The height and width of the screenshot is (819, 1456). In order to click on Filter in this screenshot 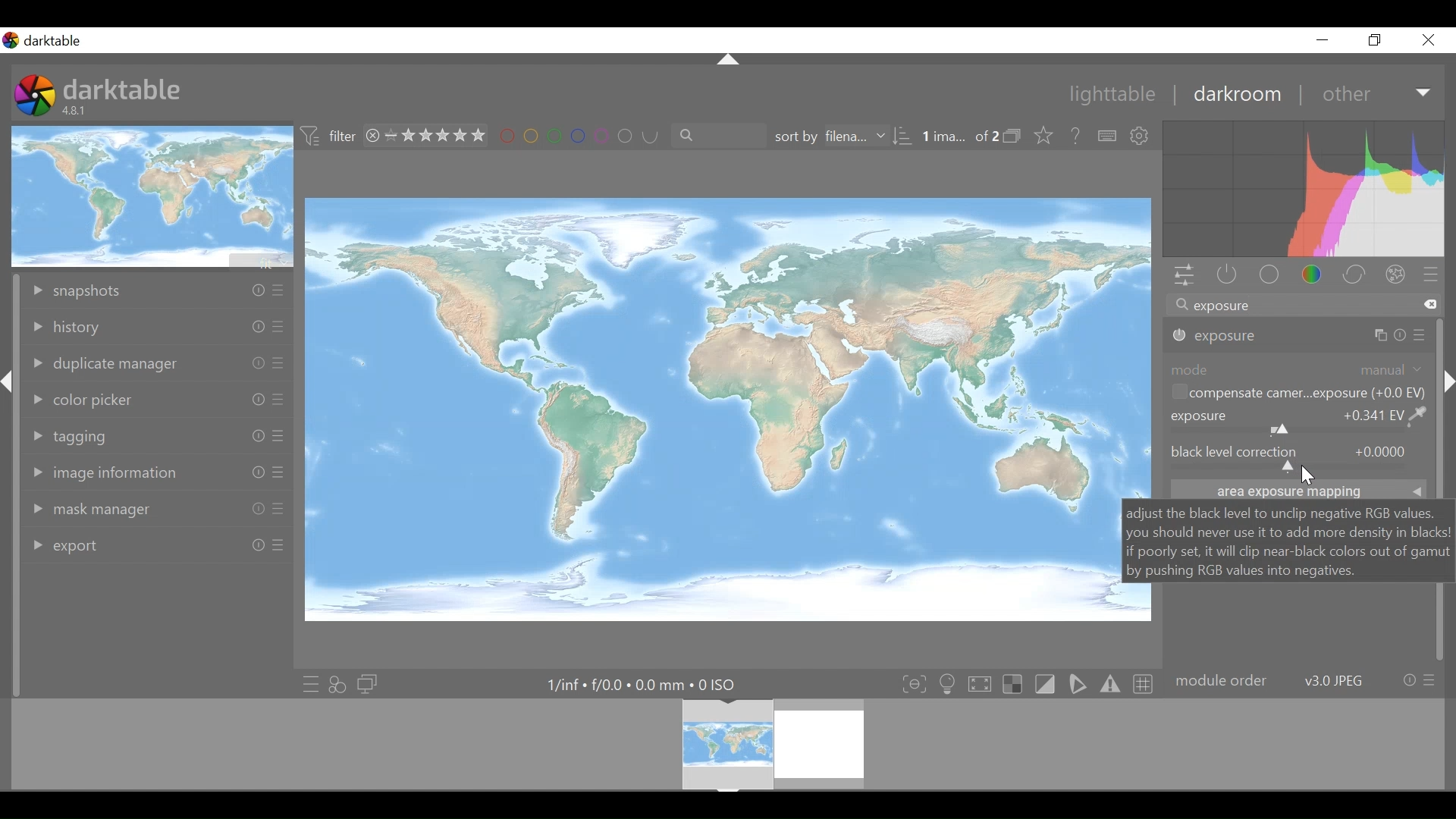, I will do `click(331, 137)`.